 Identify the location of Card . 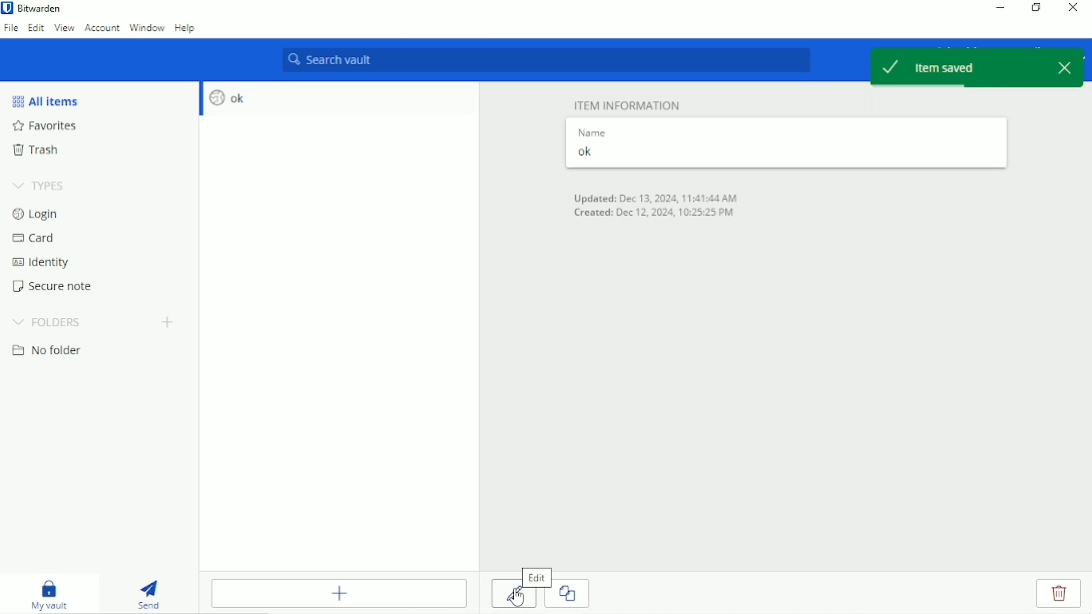
(36, 238).